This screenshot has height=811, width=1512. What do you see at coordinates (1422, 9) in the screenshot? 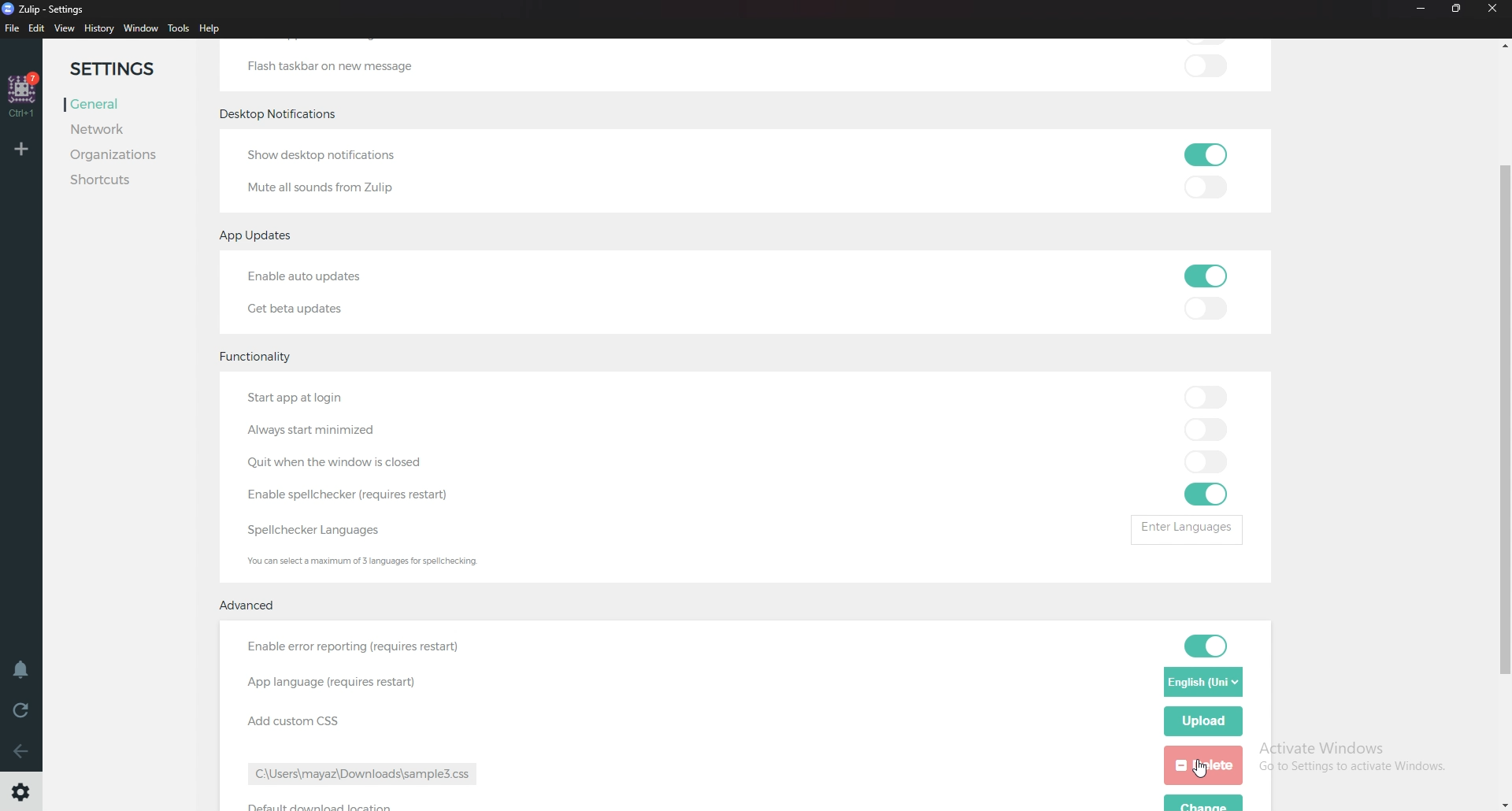
I see `Minimize` at bounding box center [1422, 9].